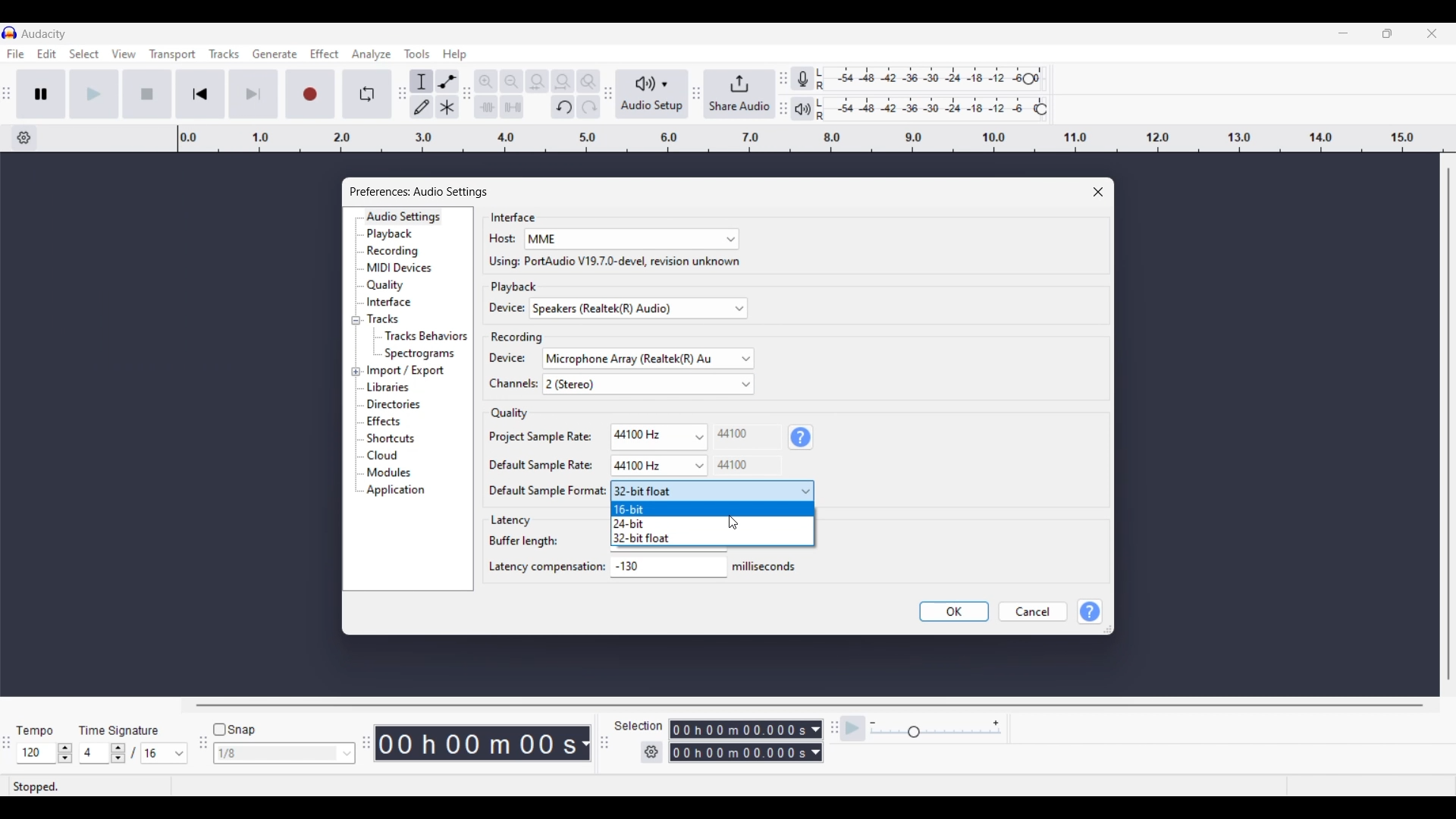 This screenshot has width=1456, height=819. Describe the element at coordinates (657, 435) in the screenshot. I see `Project sample rate options` at that location.